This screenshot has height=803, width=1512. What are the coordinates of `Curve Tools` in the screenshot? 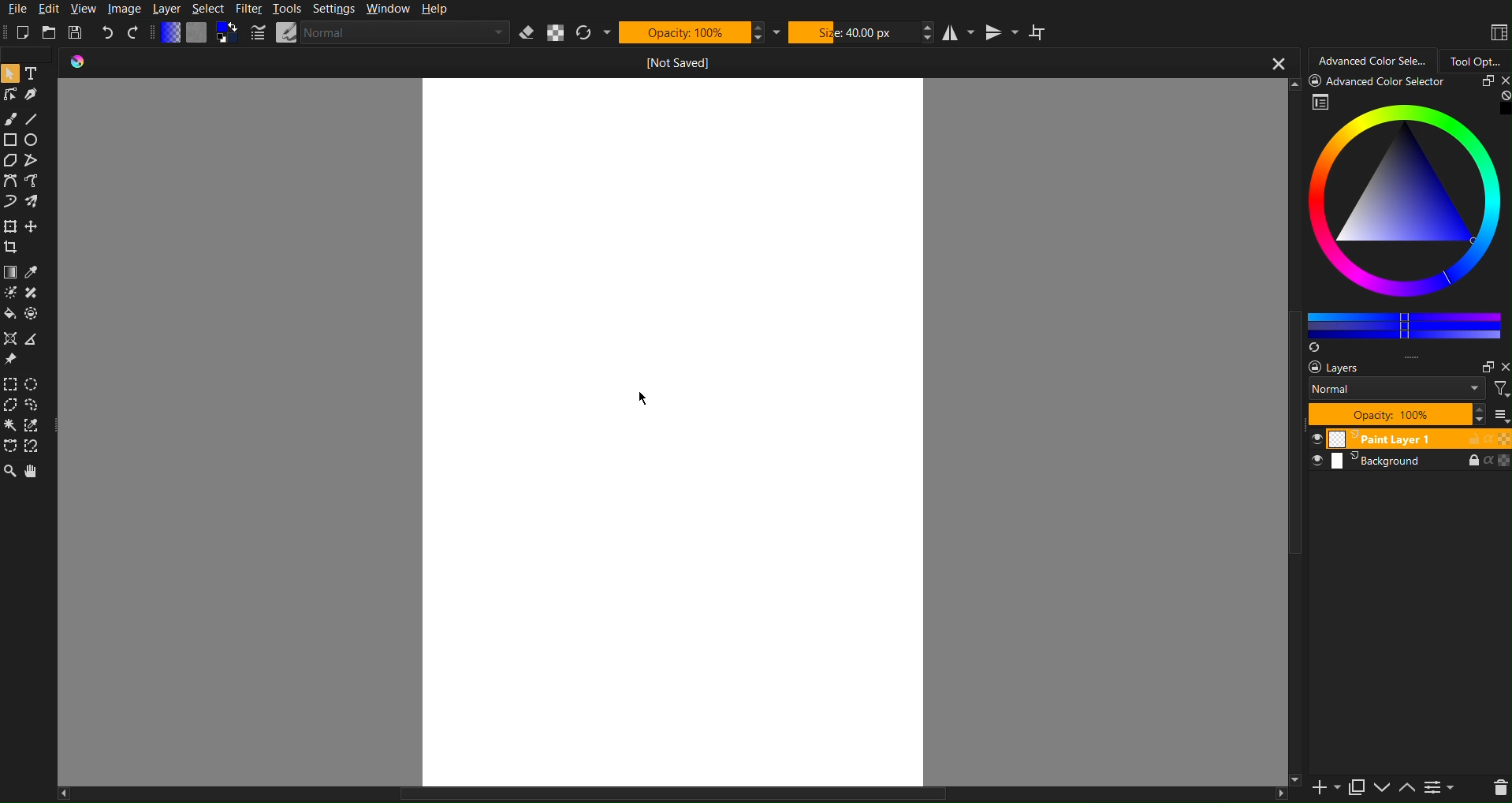 It's located at (28, 195).